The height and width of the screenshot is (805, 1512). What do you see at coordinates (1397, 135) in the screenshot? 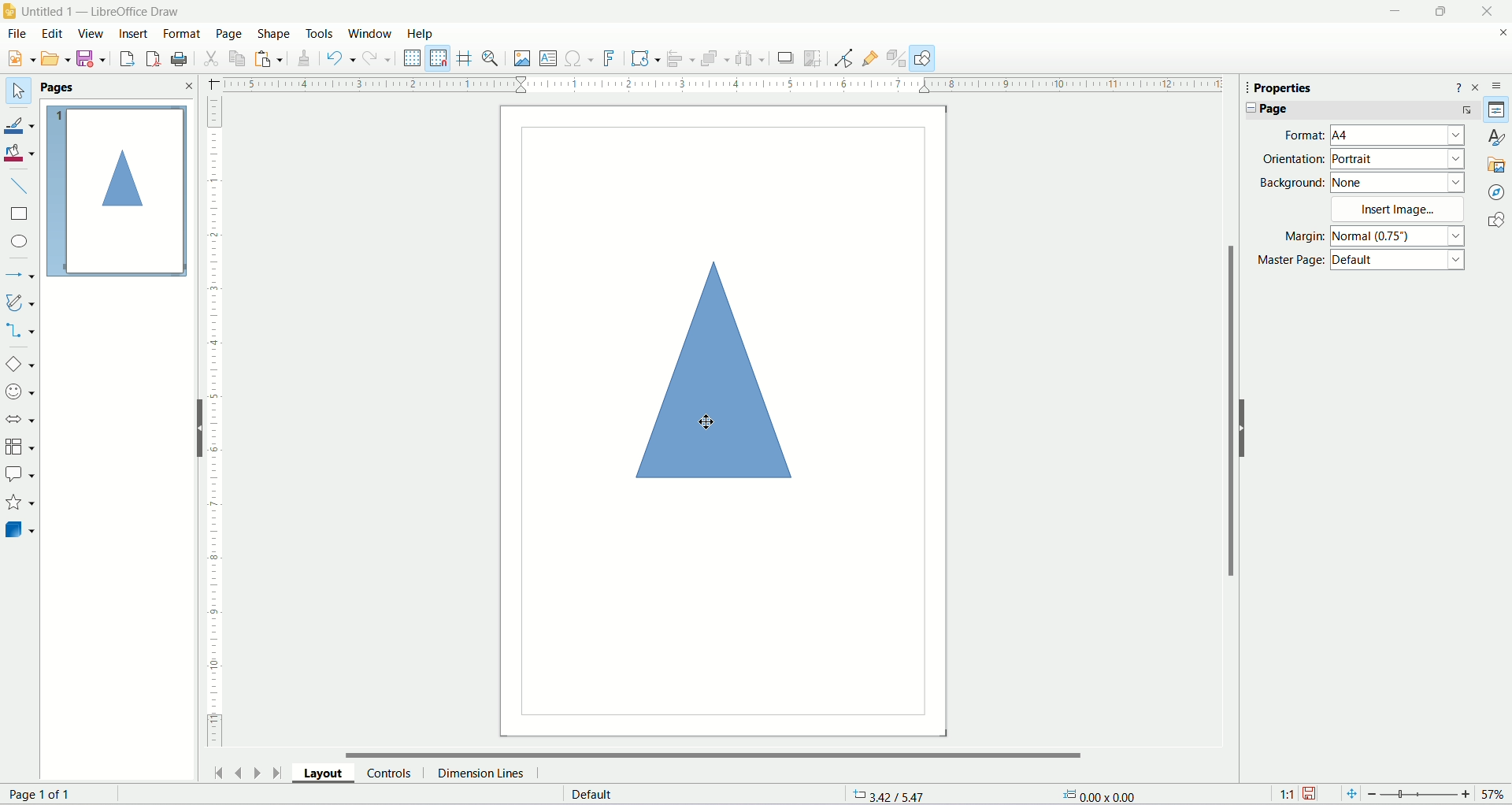
I see `A4` at bounding box center [1397, 135].